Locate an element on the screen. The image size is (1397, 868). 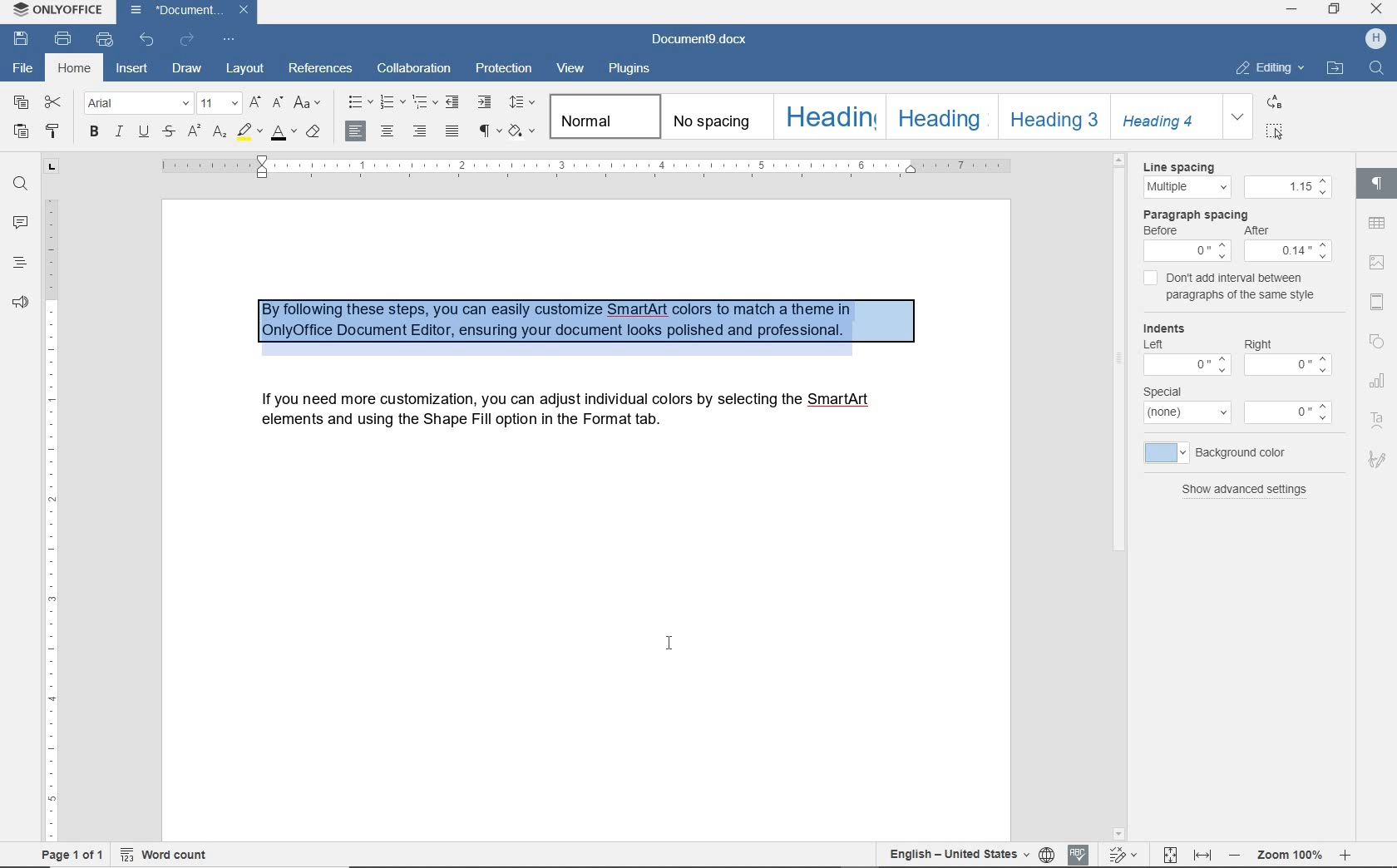
expand  is located at coordinates (1238, 117).